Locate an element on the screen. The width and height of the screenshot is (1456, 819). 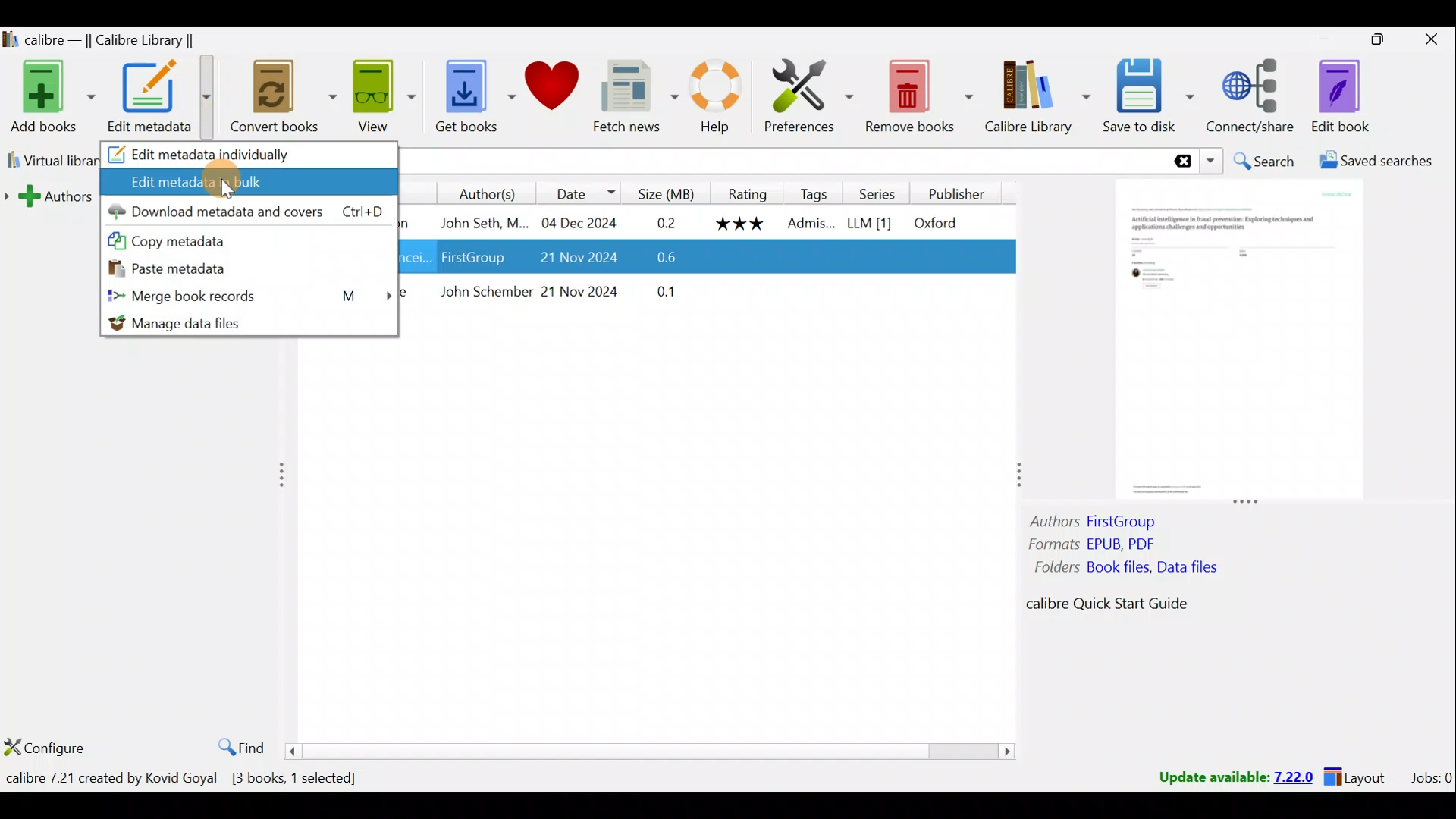
Find is located at coordinates (240, 747).